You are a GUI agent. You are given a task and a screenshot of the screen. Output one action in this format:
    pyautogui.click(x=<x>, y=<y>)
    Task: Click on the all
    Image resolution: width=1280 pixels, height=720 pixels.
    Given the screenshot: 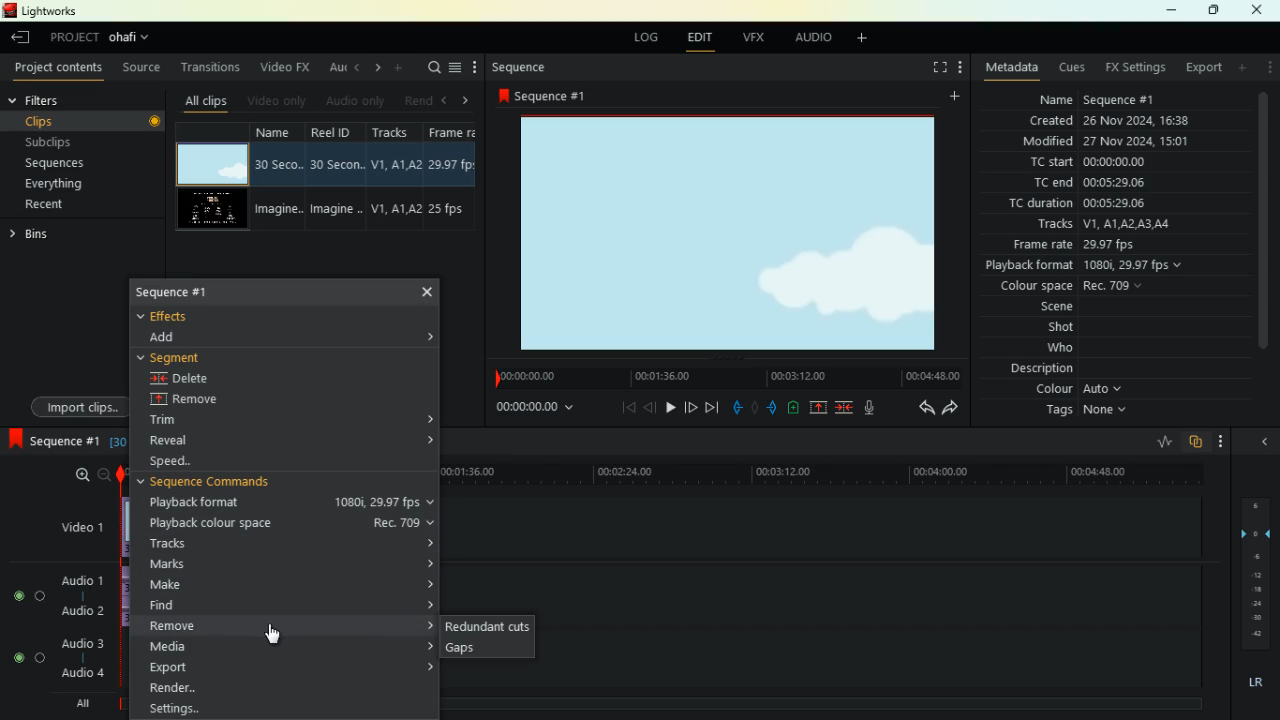 What is the action you would take?
    pyautogui.click(x=80, y=705)
    